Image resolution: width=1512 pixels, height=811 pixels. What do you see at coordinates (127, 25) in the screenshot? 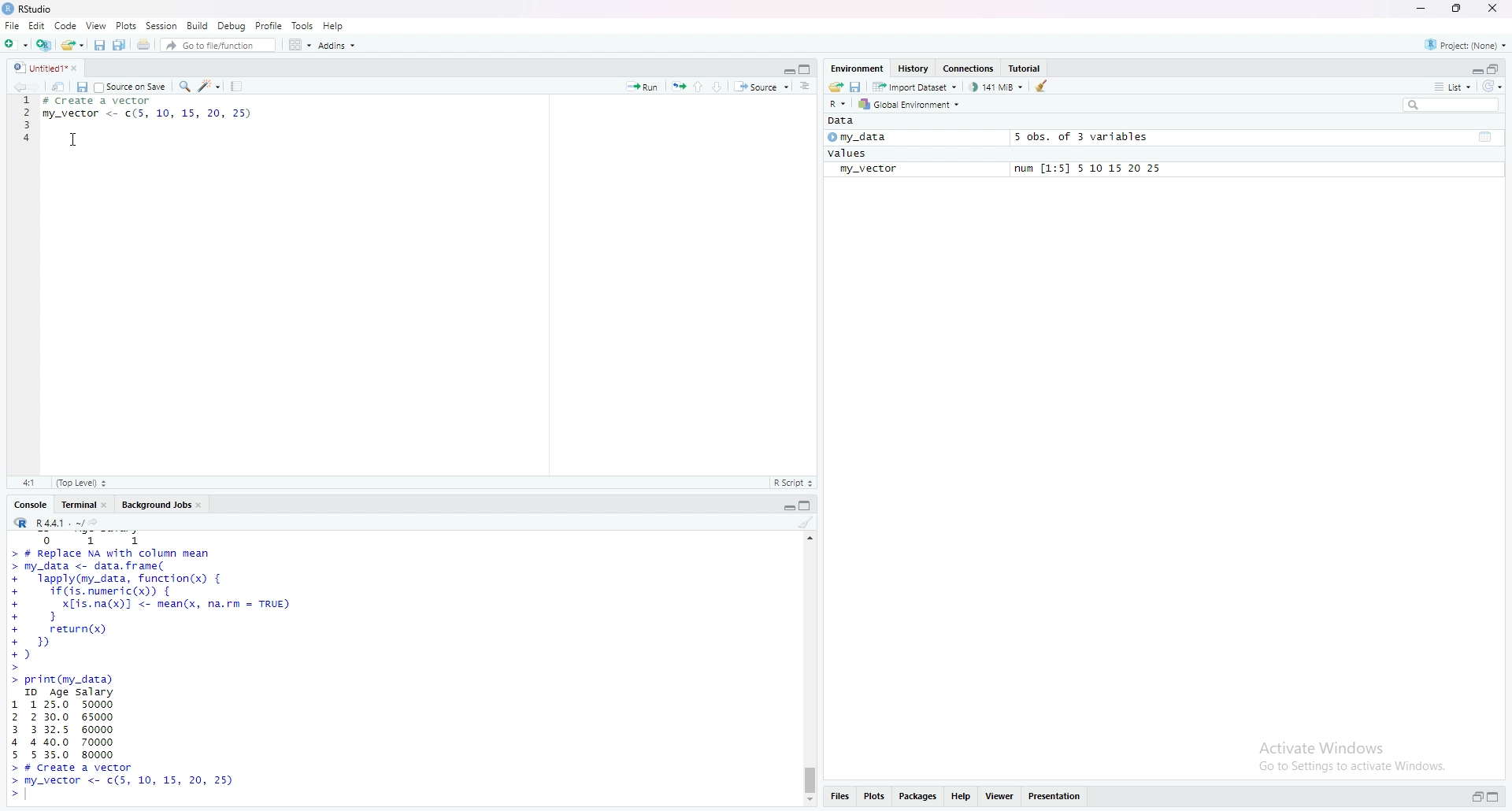
I see `Plots` at bounding box center [127, 25].